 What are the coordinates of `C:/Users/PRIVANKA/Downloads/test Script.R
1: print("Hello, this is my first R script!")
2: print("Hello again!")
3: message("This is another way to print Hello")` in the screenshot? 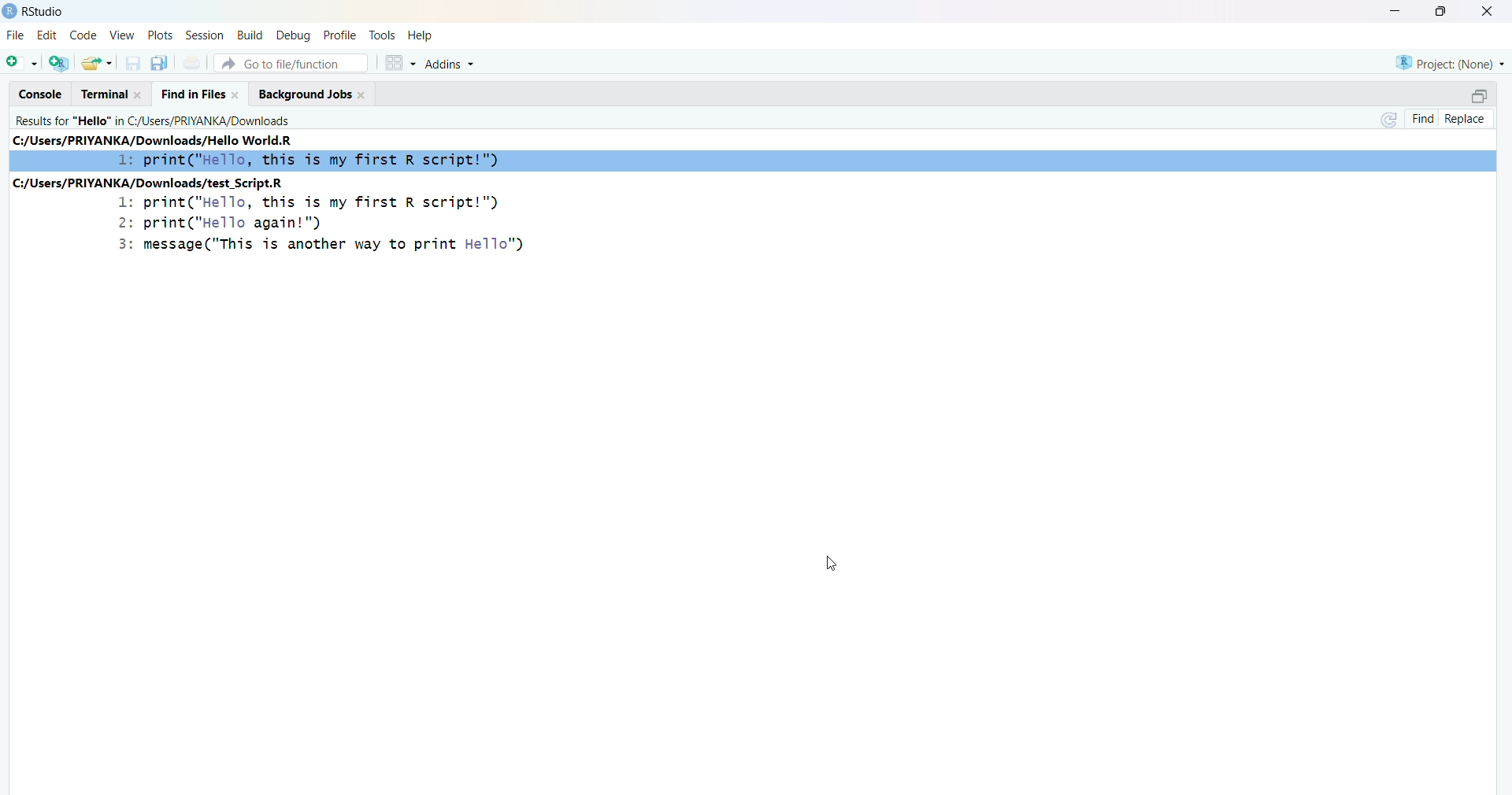 It's located at (283, 216).